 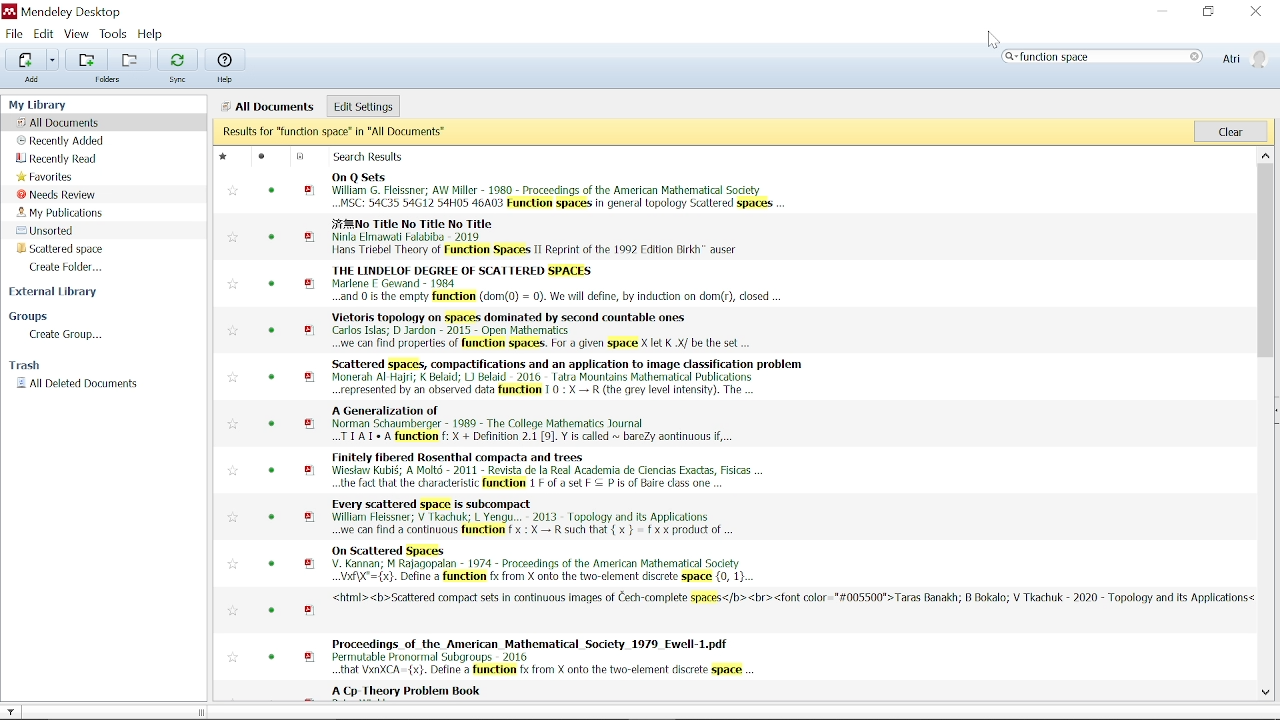 What do you see at coordinates (77, 267) in the screenshot?
I see `Create folder` at bounding box center [77, 267].